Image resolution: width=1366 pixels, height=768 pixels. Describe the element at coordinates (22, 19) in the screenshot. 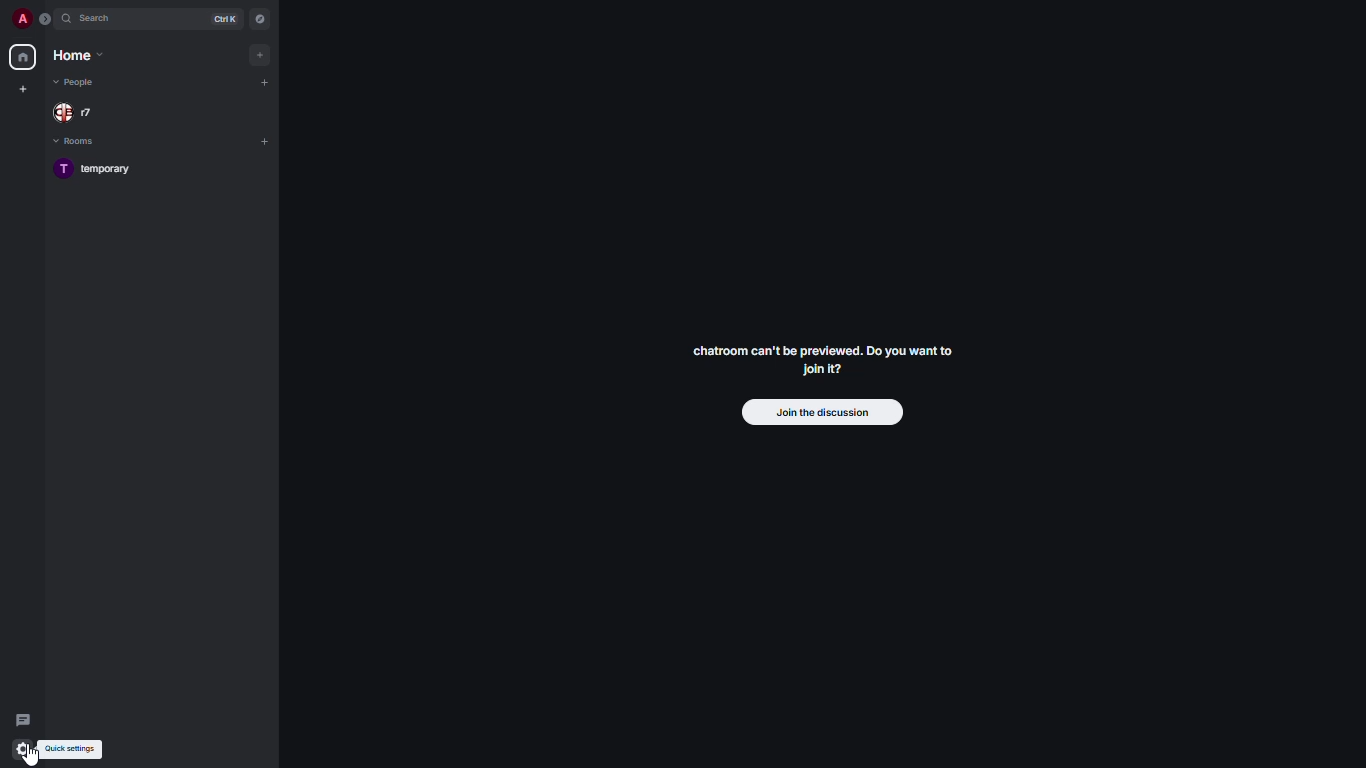

I see `profile` at that location.